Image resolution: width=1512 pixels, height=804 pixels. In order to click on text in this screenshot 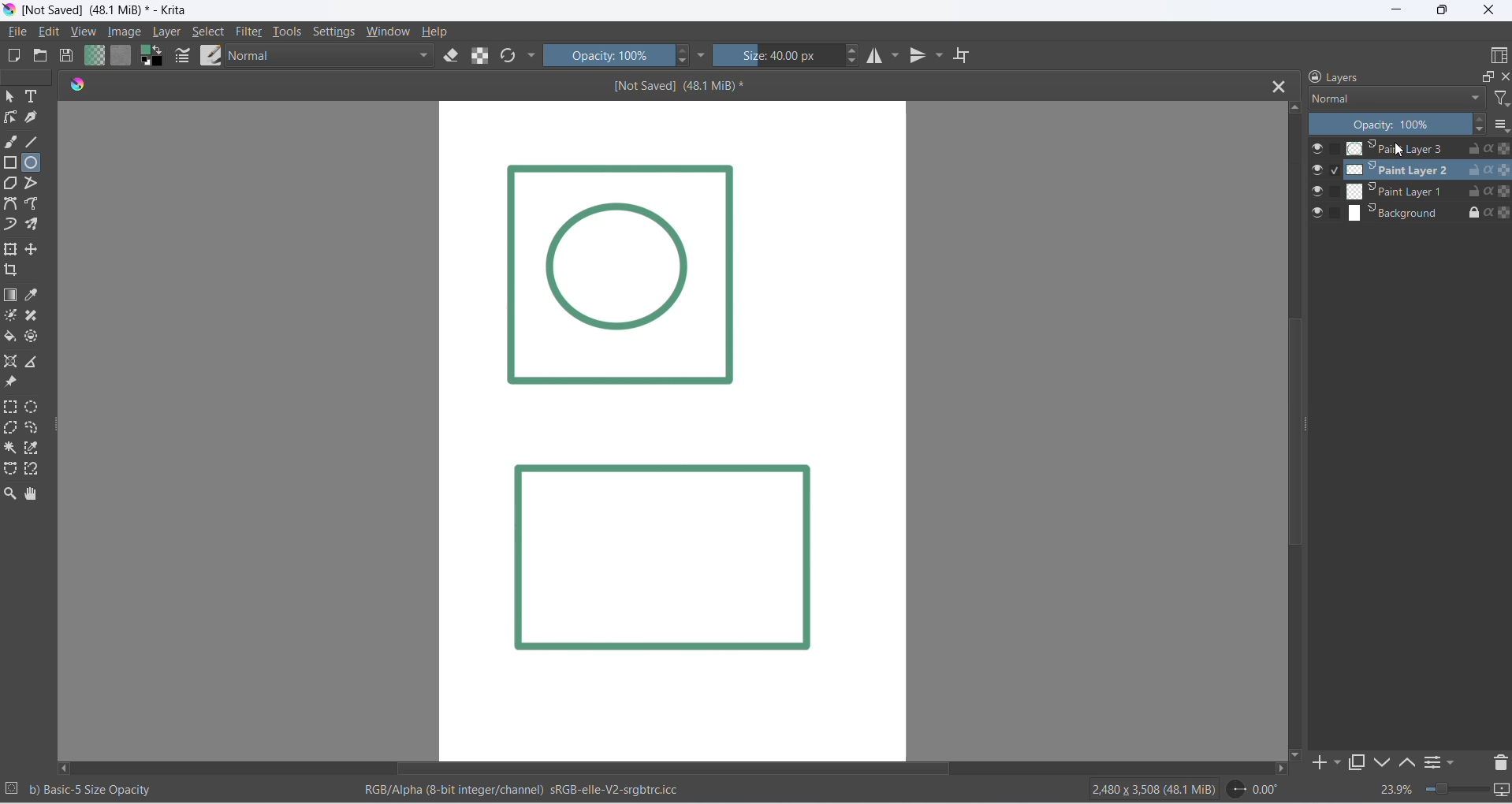, I will do `click(37, 98)`.